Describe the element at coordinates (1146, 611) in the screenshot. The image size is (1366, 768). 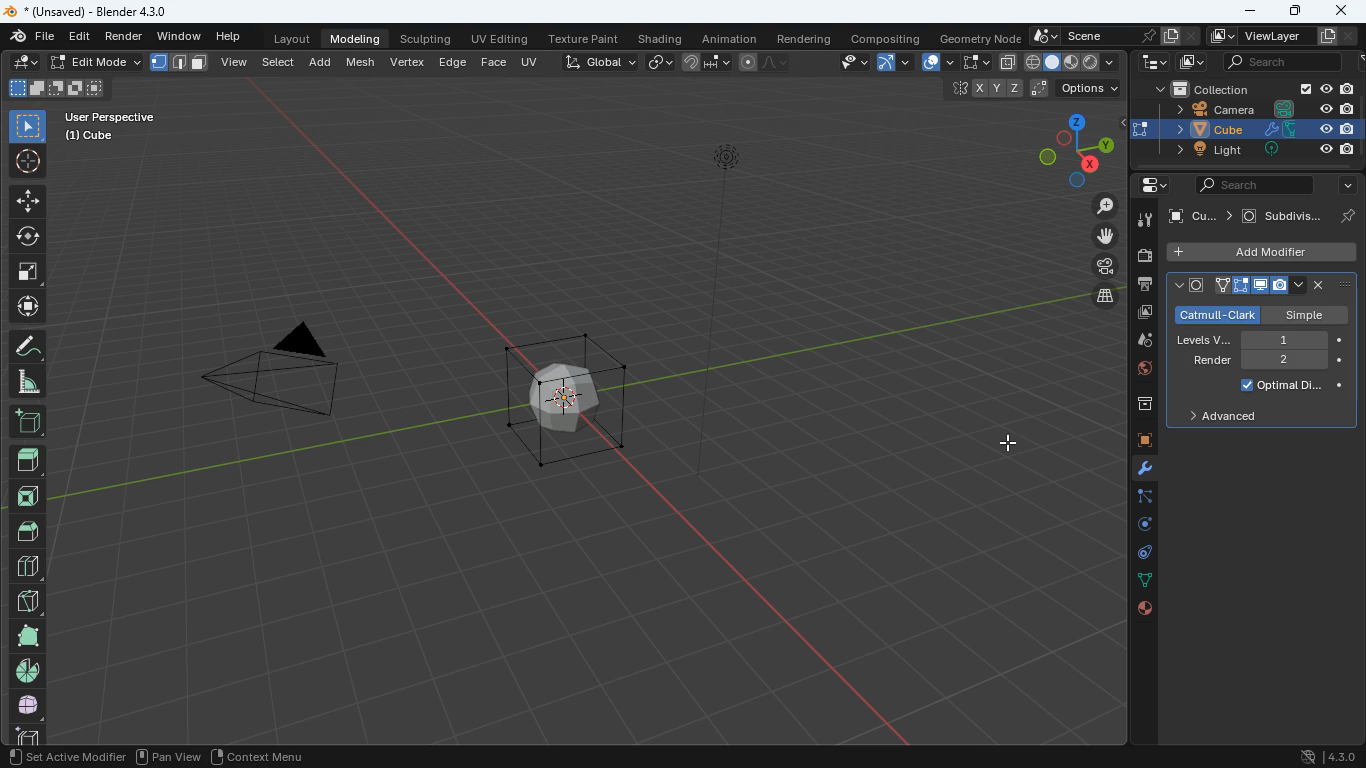
I see `public` at that location.